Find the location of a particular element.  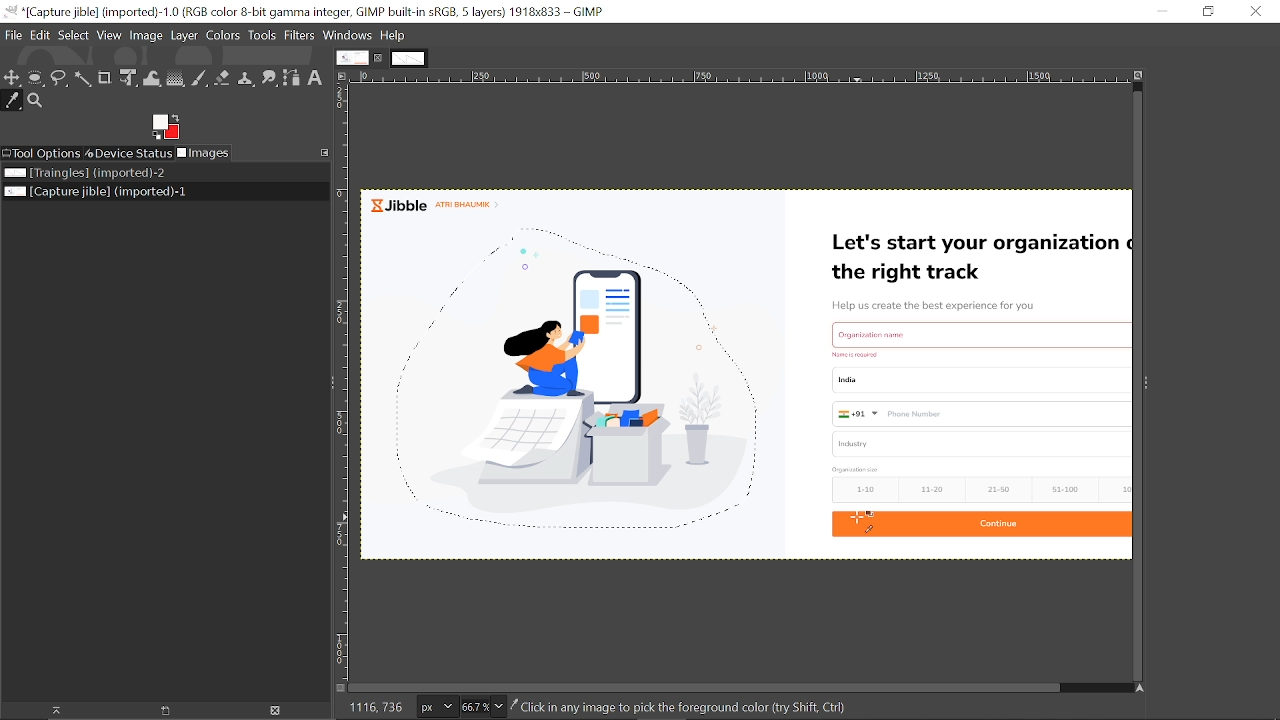

Text tool is located at coordinates (315, 78).